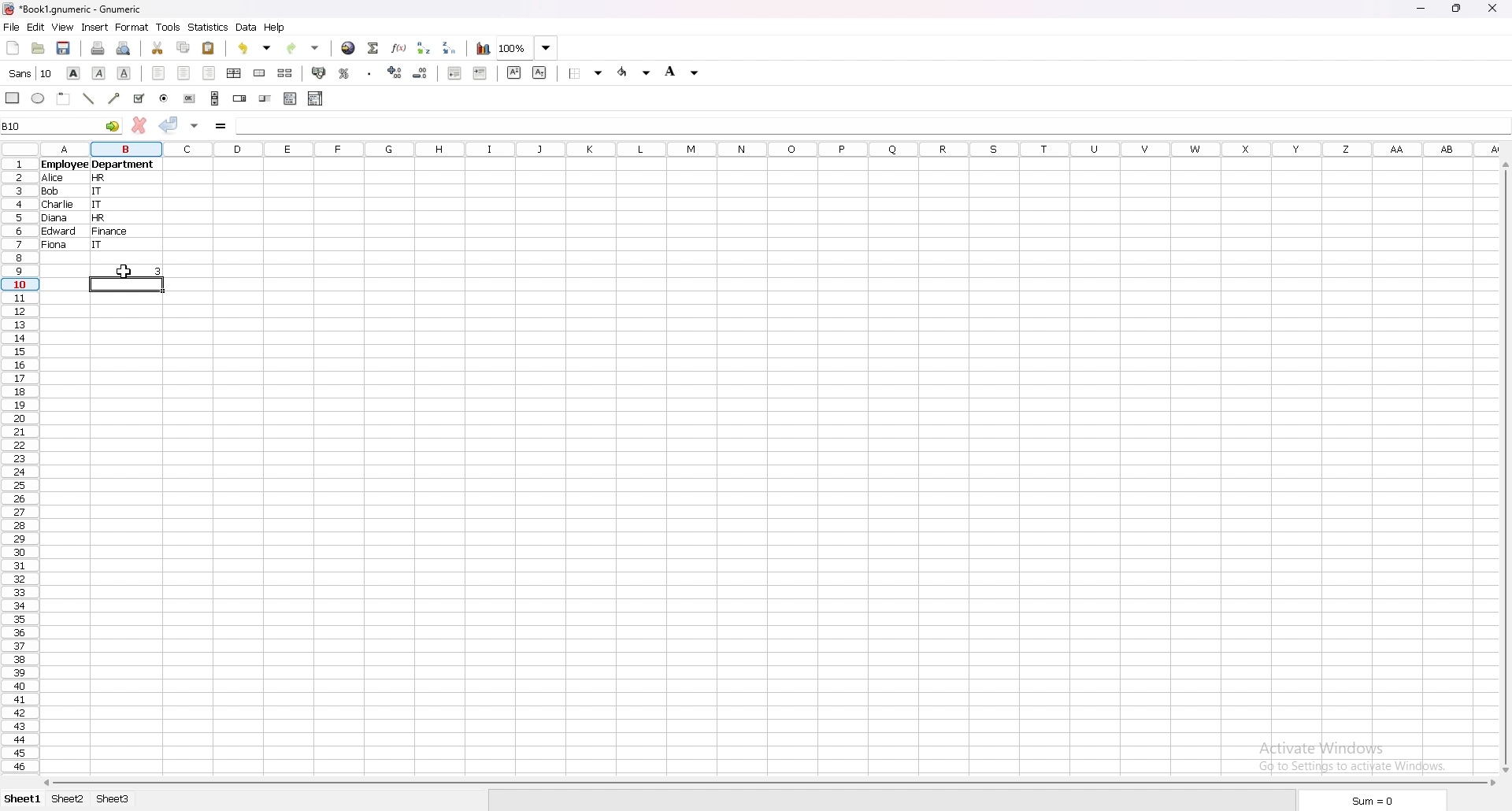  What do you see at coordinates (1494, 8) in the screenshot?
I see `close` at bounding box center [1494, 8].